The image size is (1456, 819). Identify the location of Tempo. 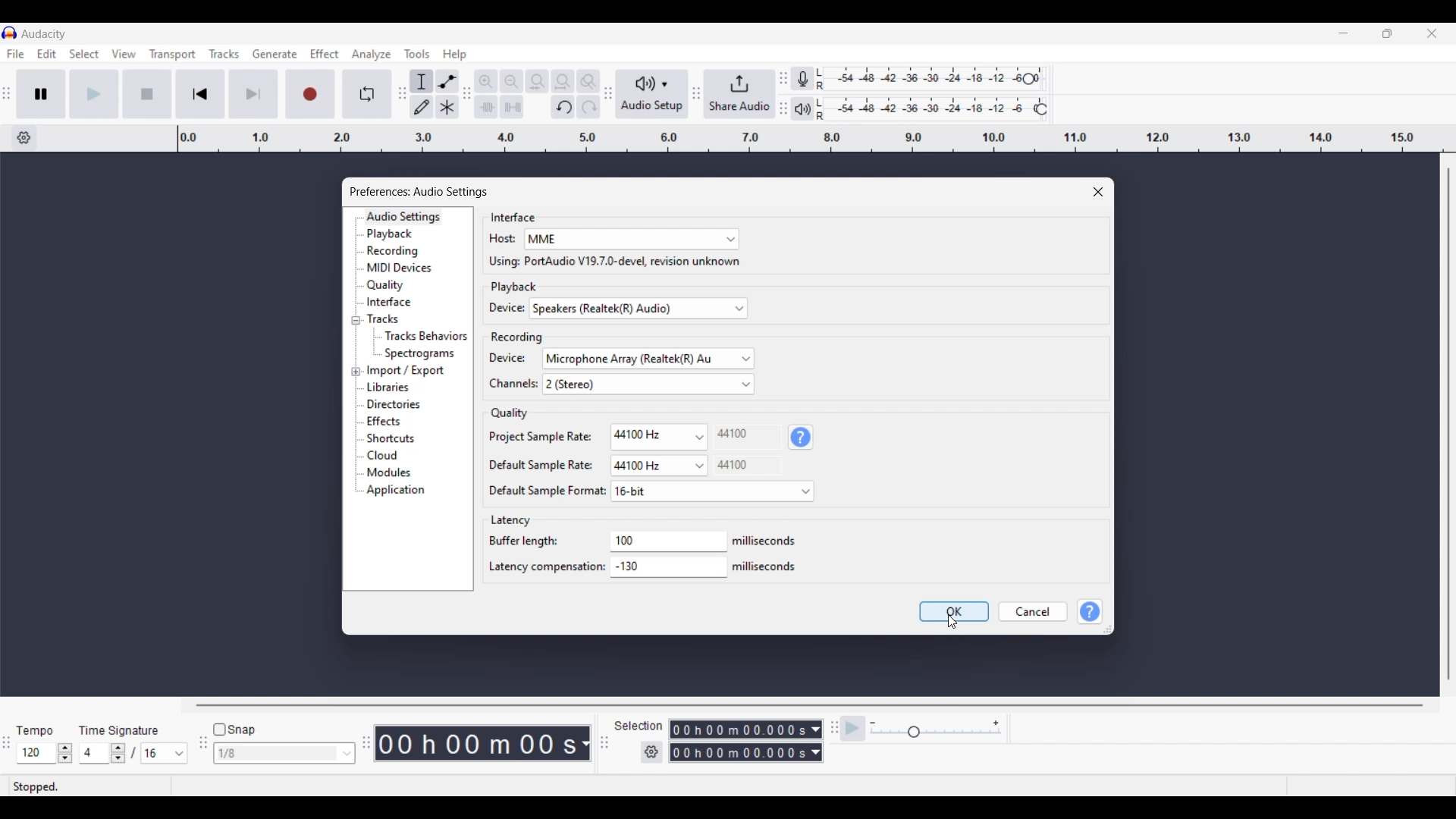
(34, 730).